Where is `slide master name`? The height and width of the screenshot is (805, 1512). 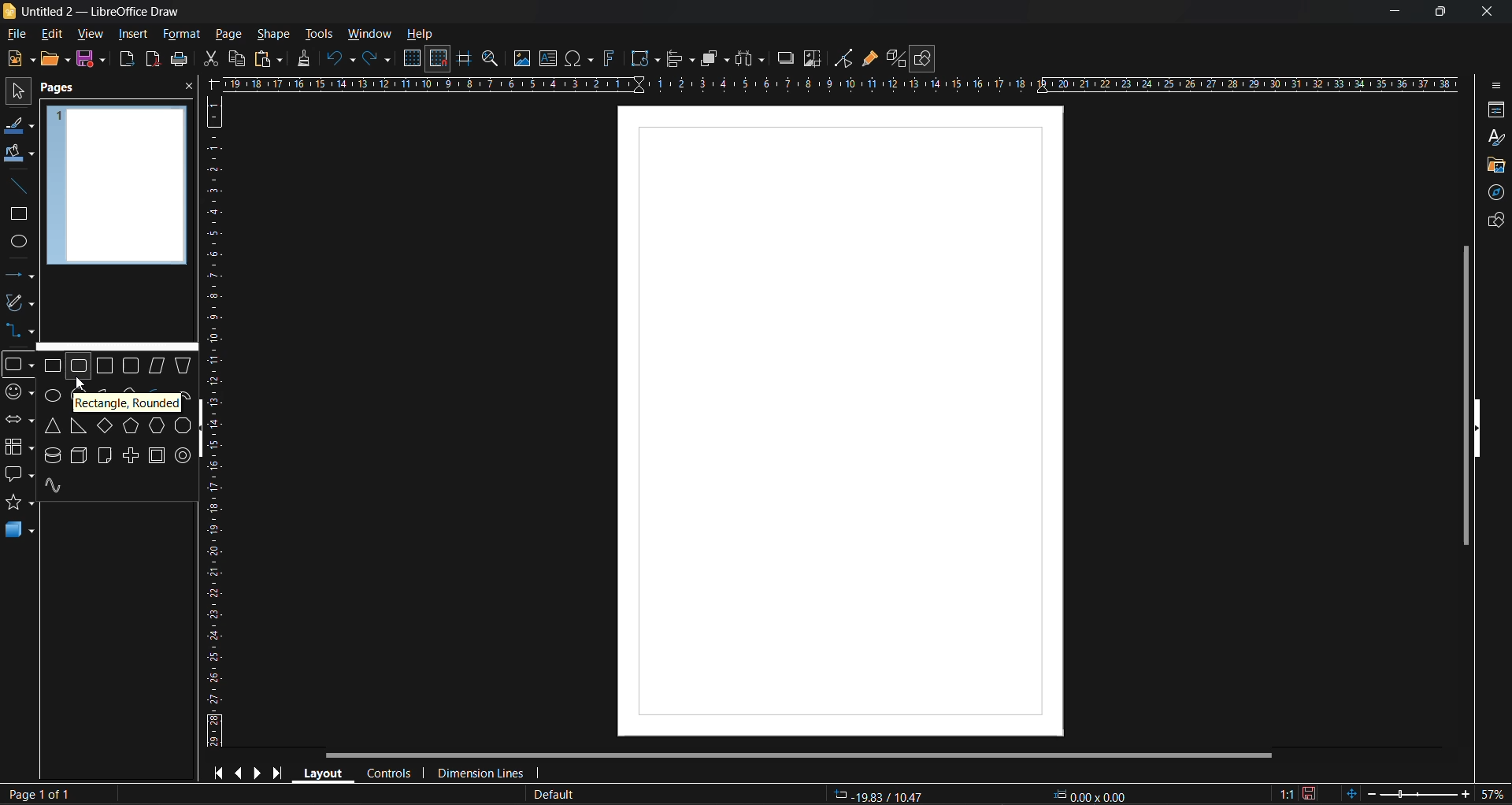 slide master name is located at coordinates (550, 796).